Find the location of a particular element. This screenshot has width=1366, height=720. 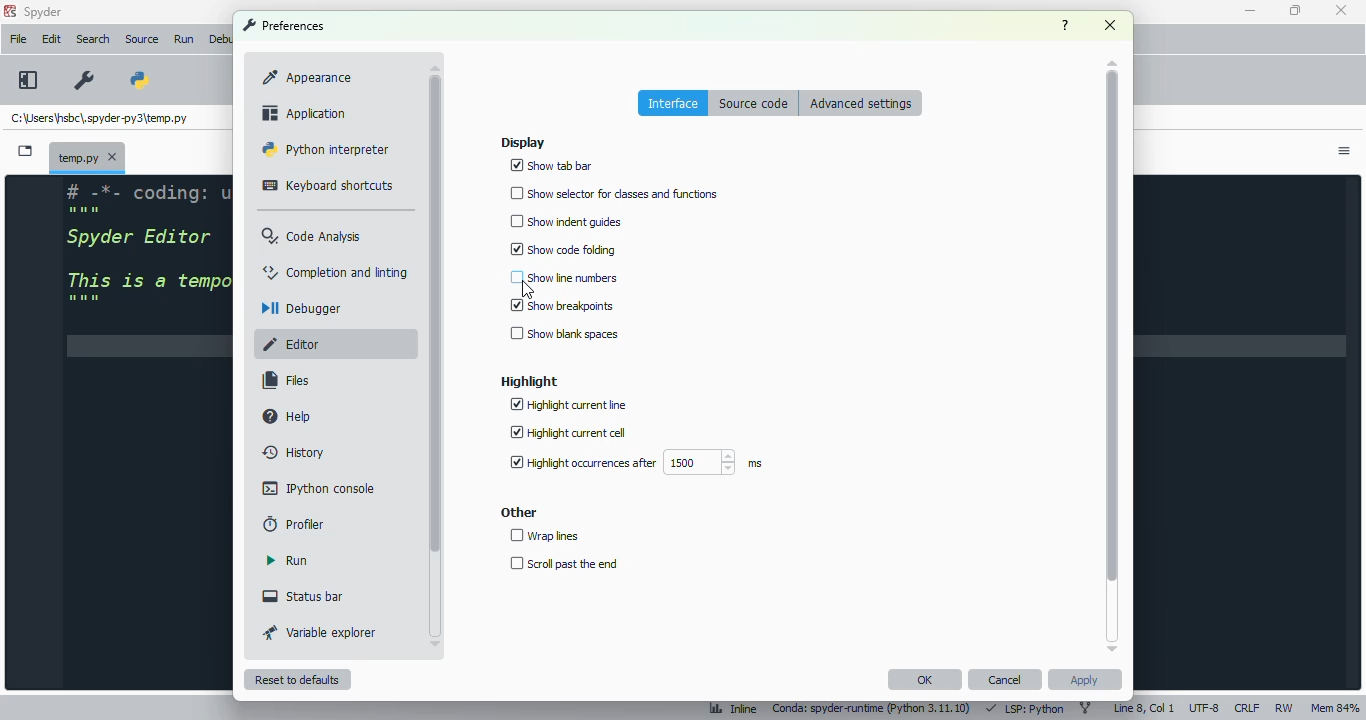

display is located at coordinates (523, 142).